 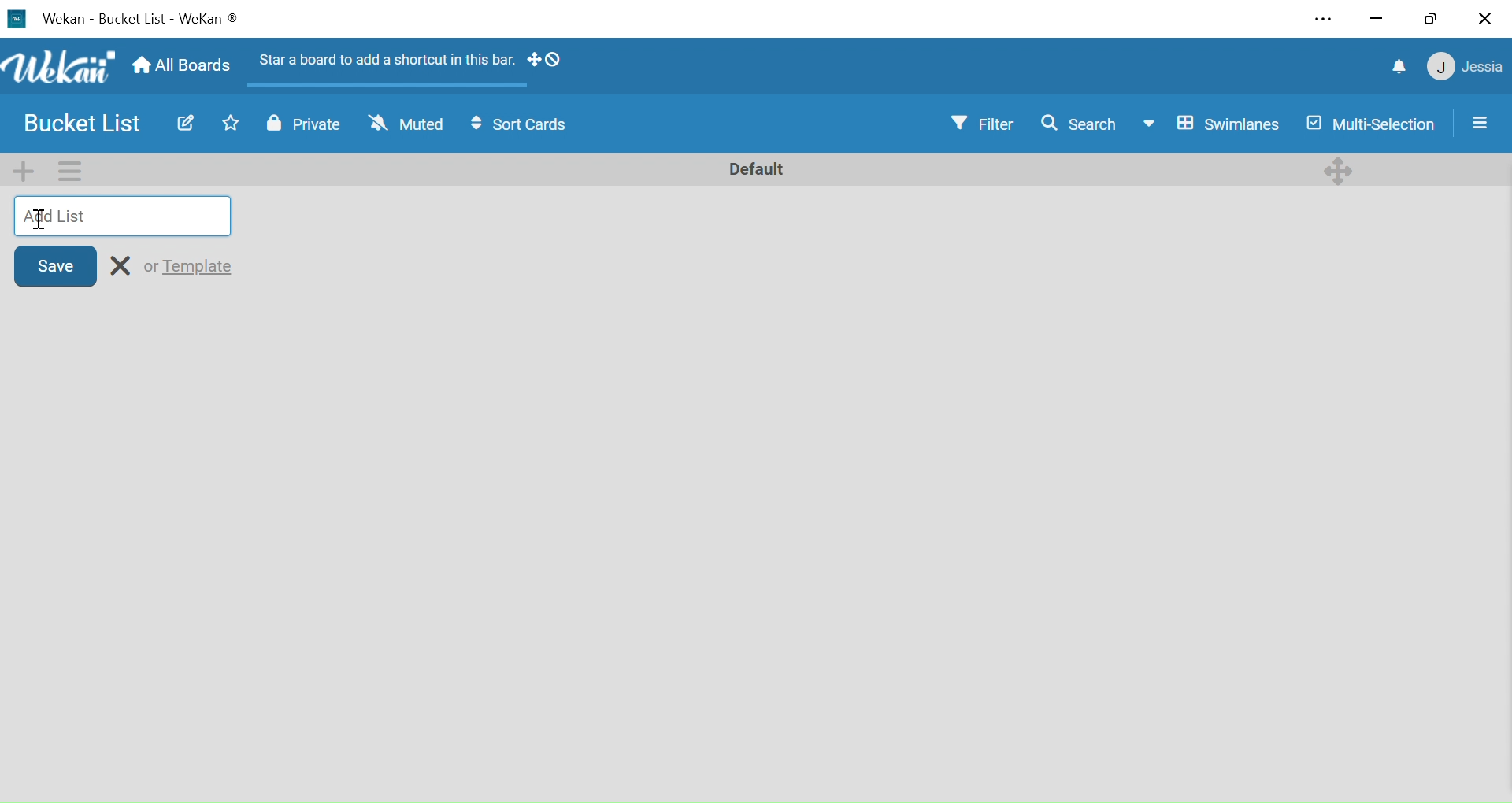 I want to click on Add Swimlanes, so click(x=27, y=170).